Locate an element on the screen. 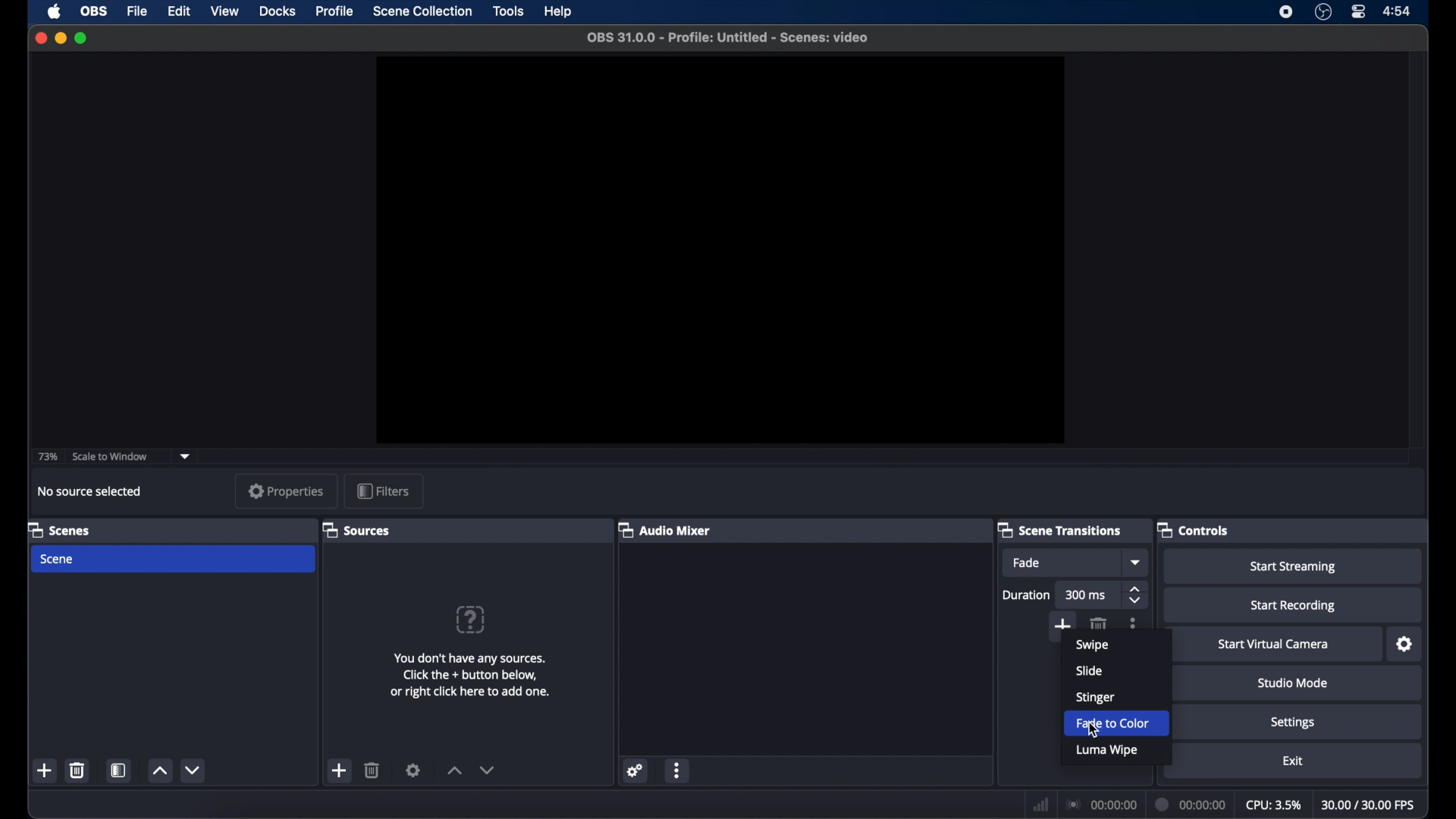 This screenshot has height=819, width=1456. network is located at coordinates (1040, 803).